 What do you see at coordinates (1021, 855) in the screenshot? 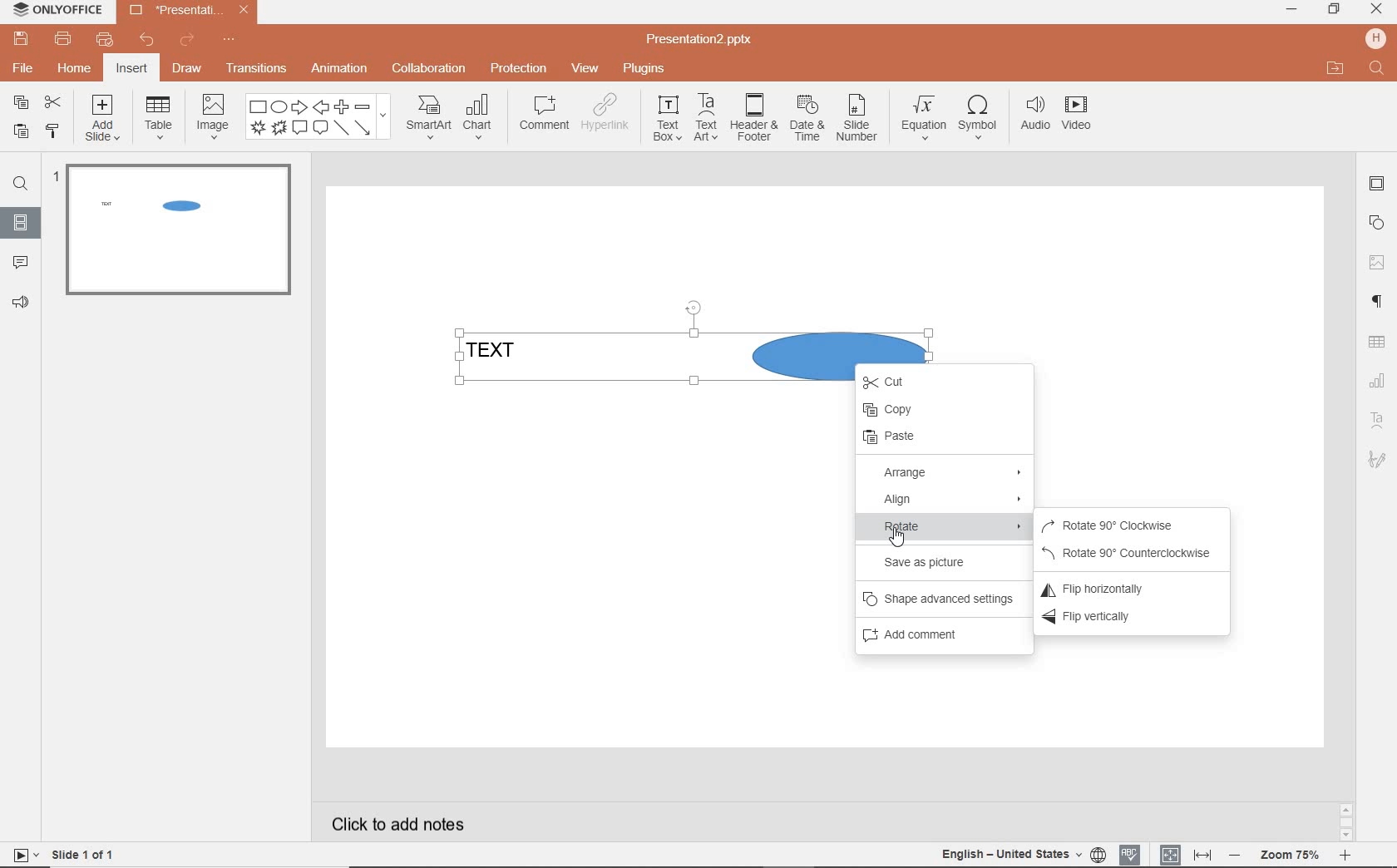
I see `TEXT LANGUAGE` at bounding box center [1021, 855].